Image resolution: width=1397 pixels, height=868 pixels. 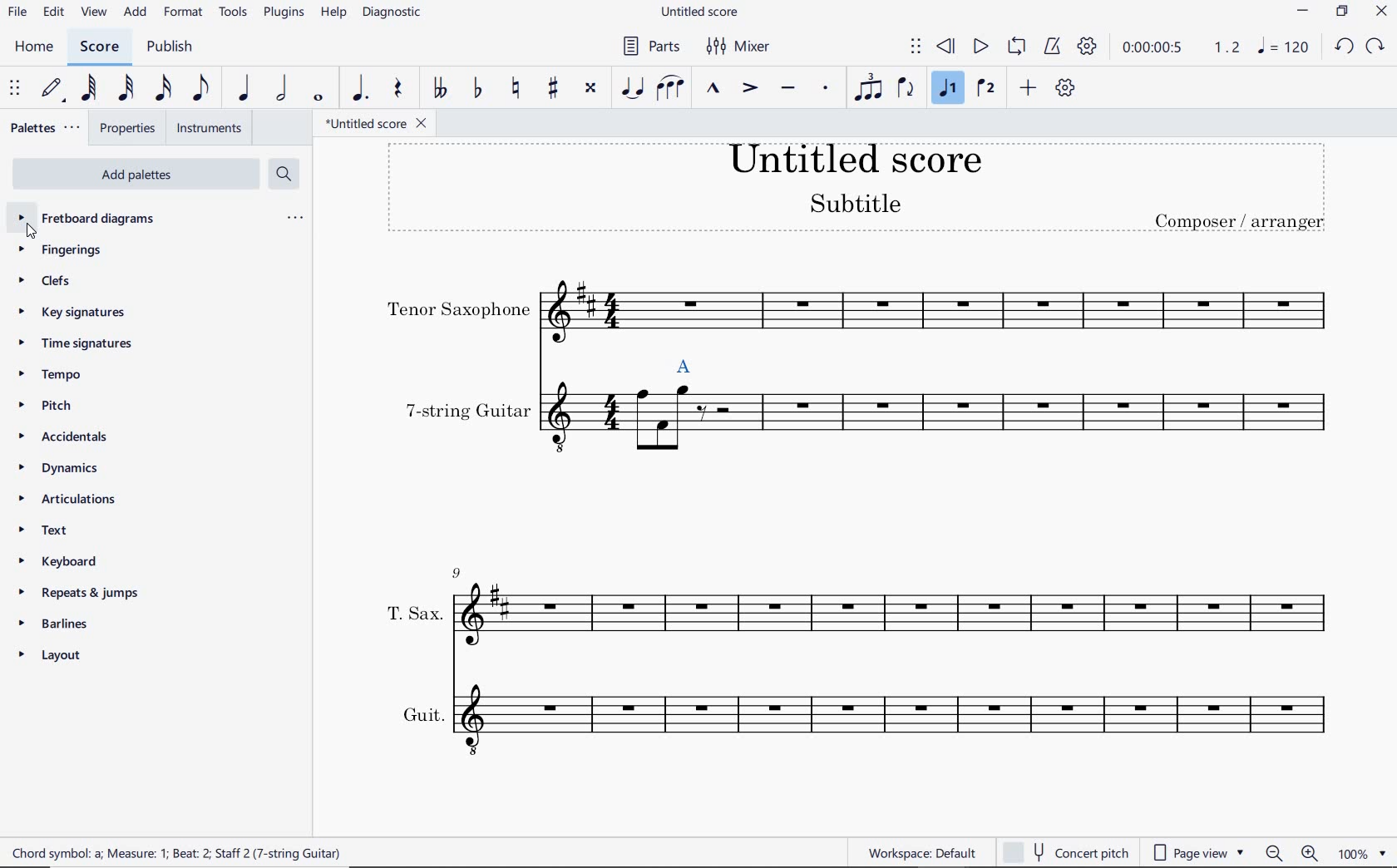 What do you see at coordinates (1291, 851) in the screenshot?
I see `zoom in or zoom out` at bounding box center [1291, 851].